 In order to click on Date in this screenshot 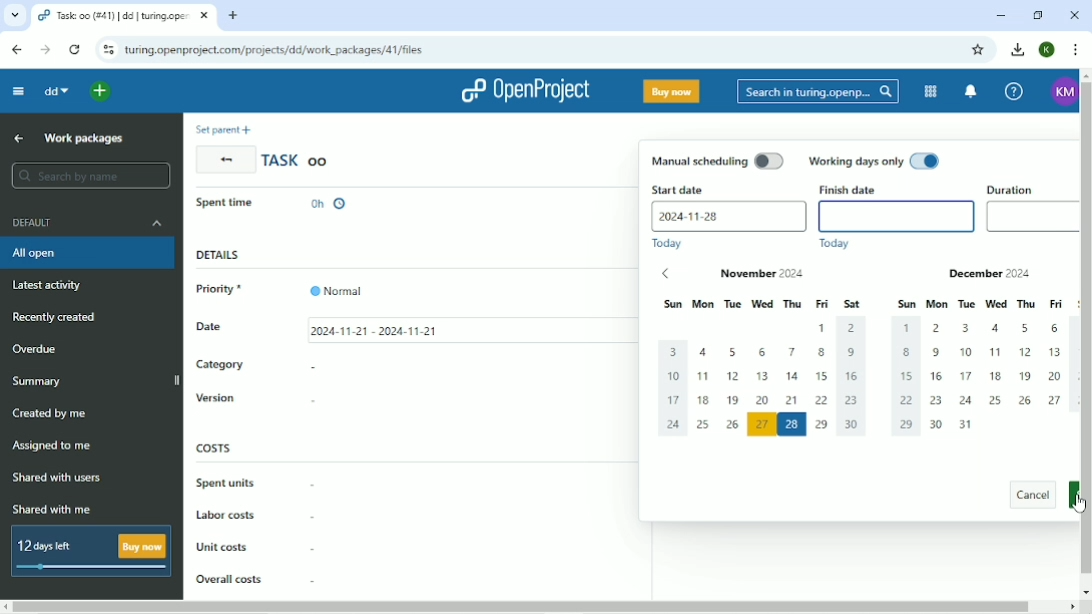, I will do `click(227, 329)`.